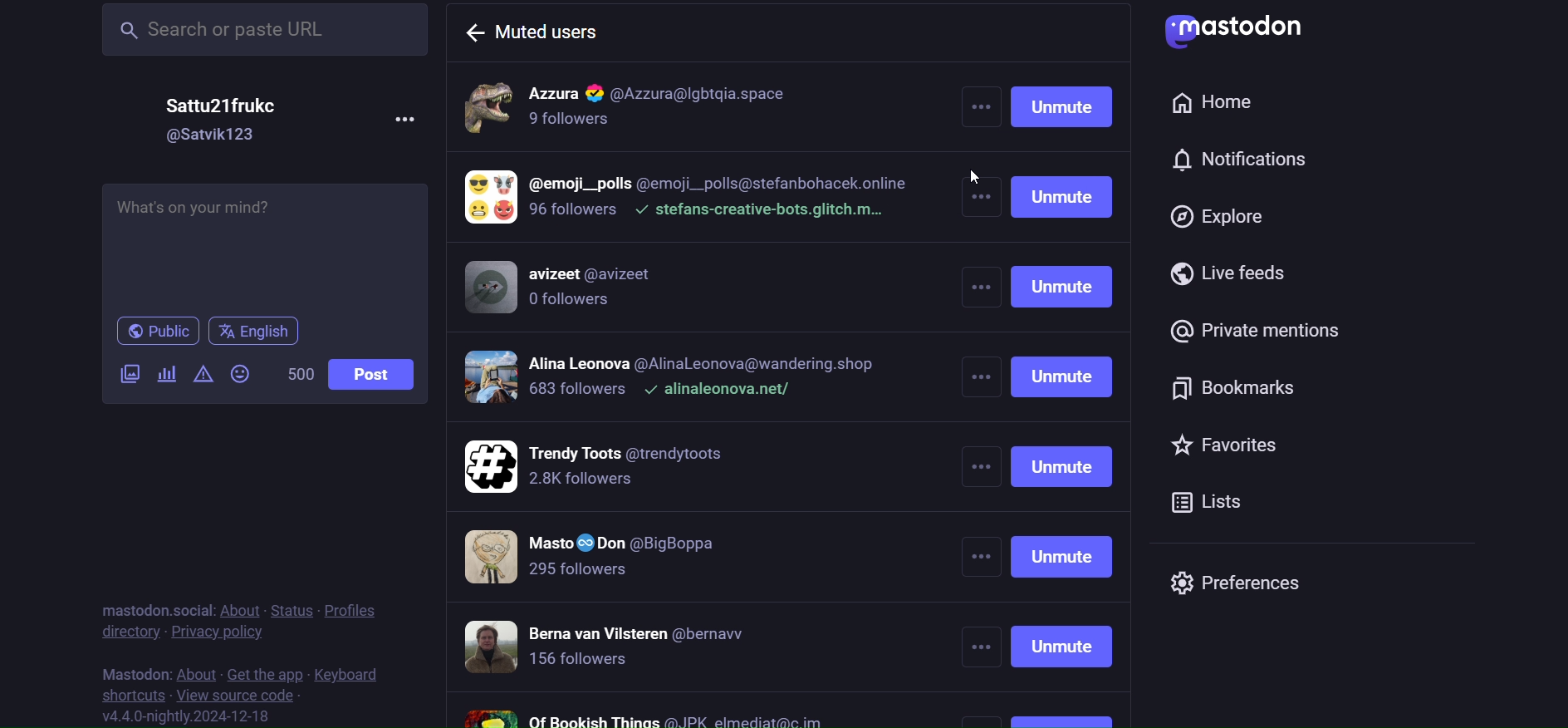  Describe the element at coordinates (1063, 406) in the screenshot. I see `unmute` at that location.